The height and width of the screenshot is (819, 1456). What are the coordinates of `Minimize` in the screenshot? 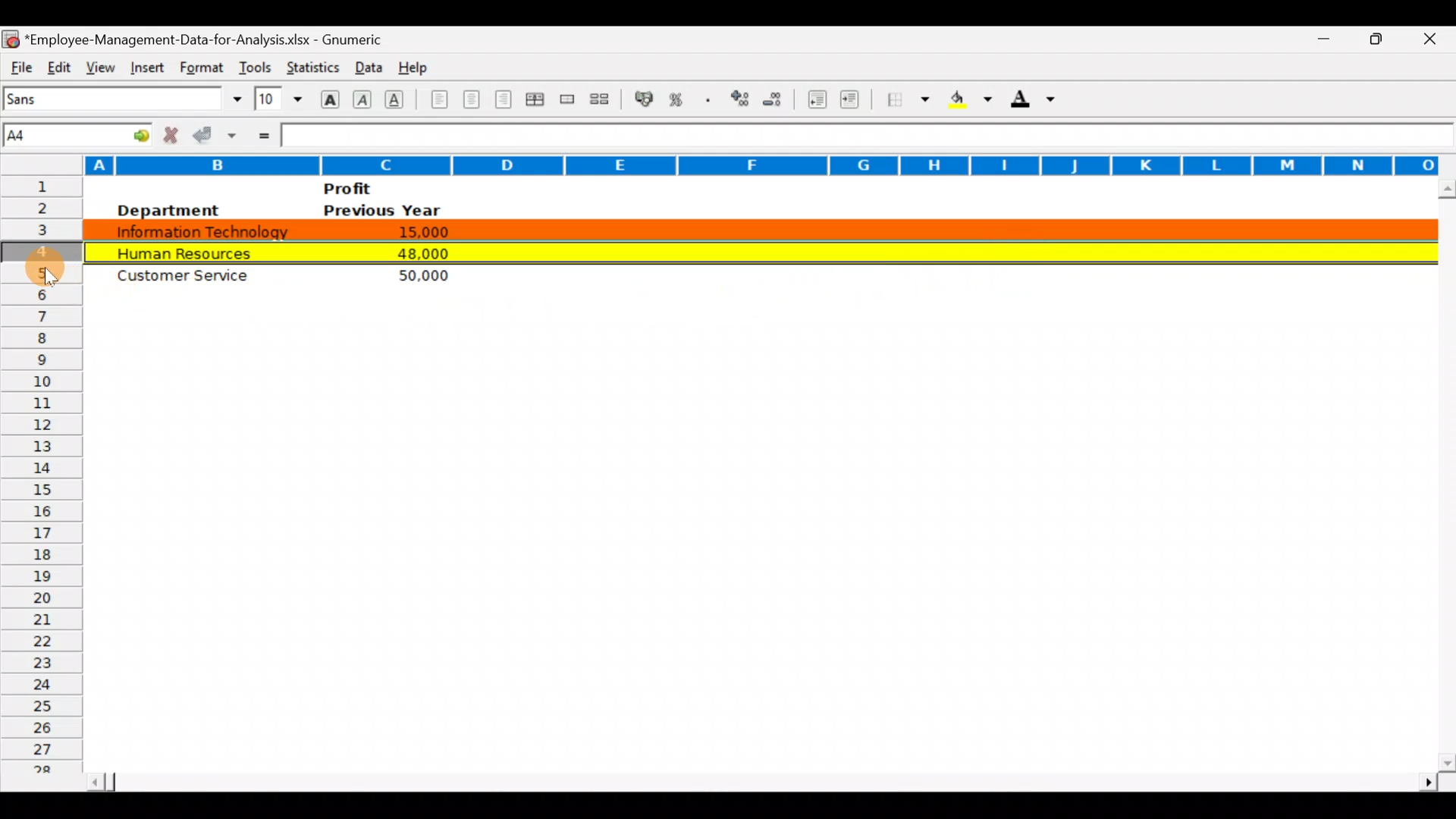 It's located at (1315, 39).